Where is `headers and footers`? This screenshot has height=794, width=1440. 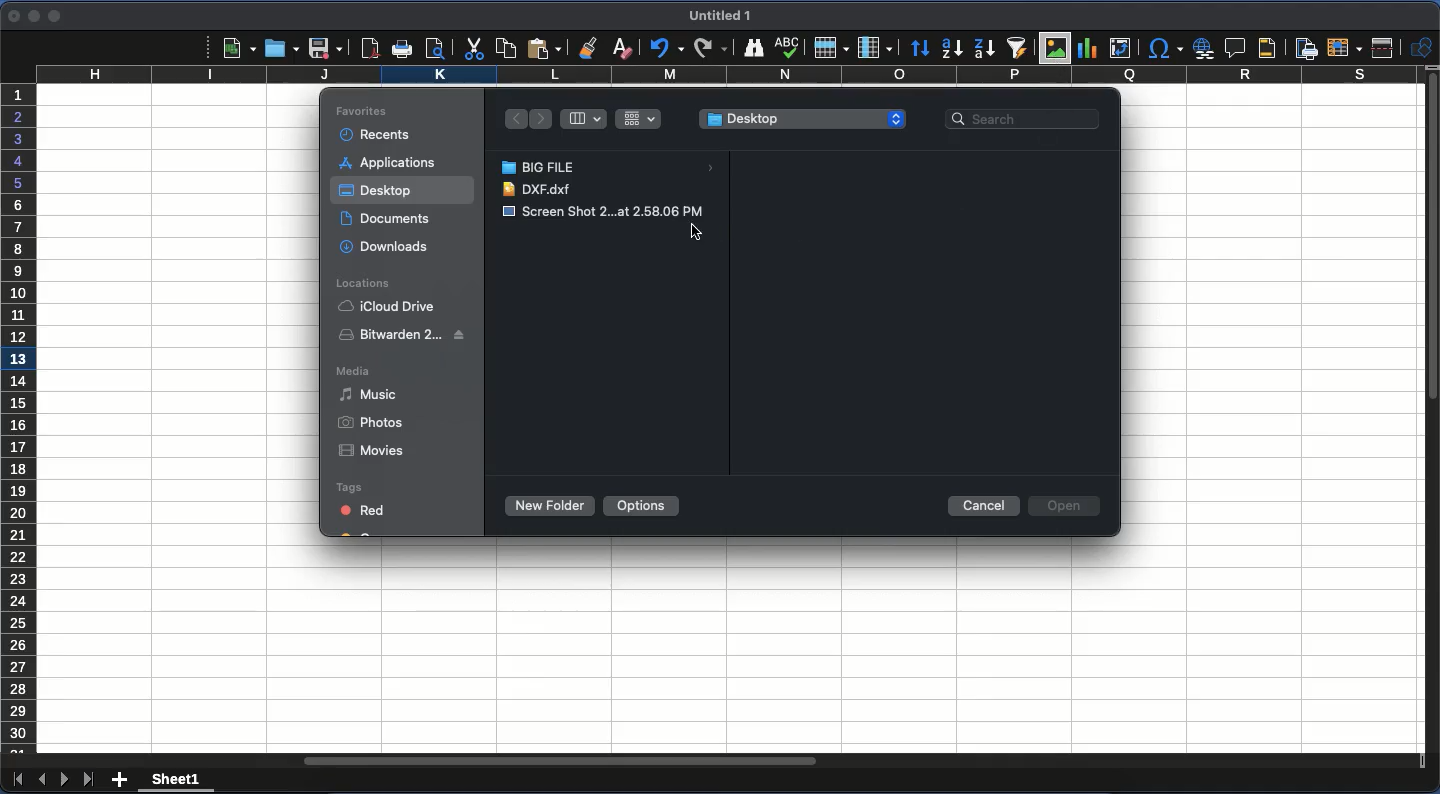
headers and footers is located at coordinates (1263, 47).